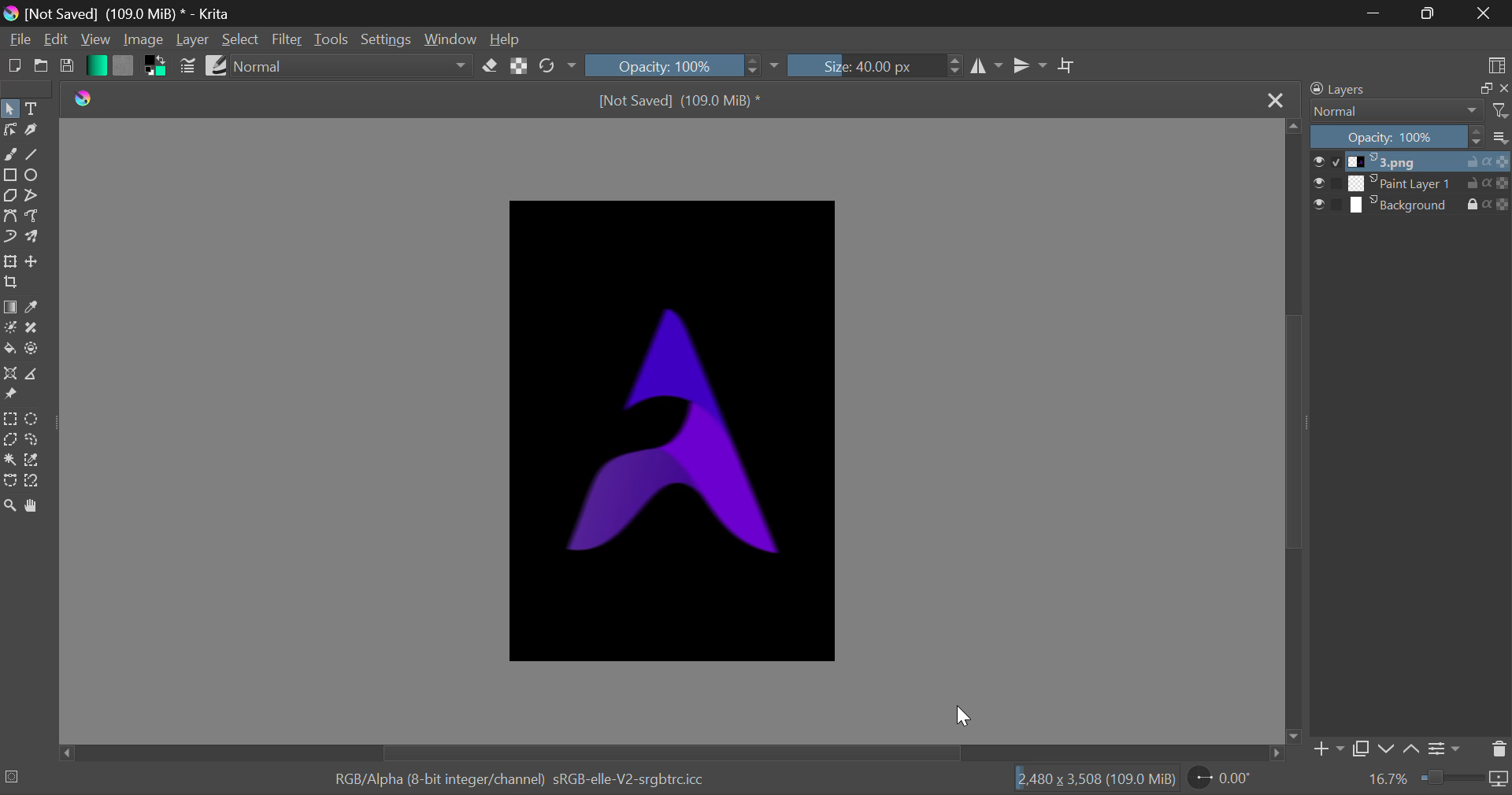 This screenshot has width=1512, height=795. Describe the element at coordinates (1412, 162) in the screenshot. I see `3.png` at that location.